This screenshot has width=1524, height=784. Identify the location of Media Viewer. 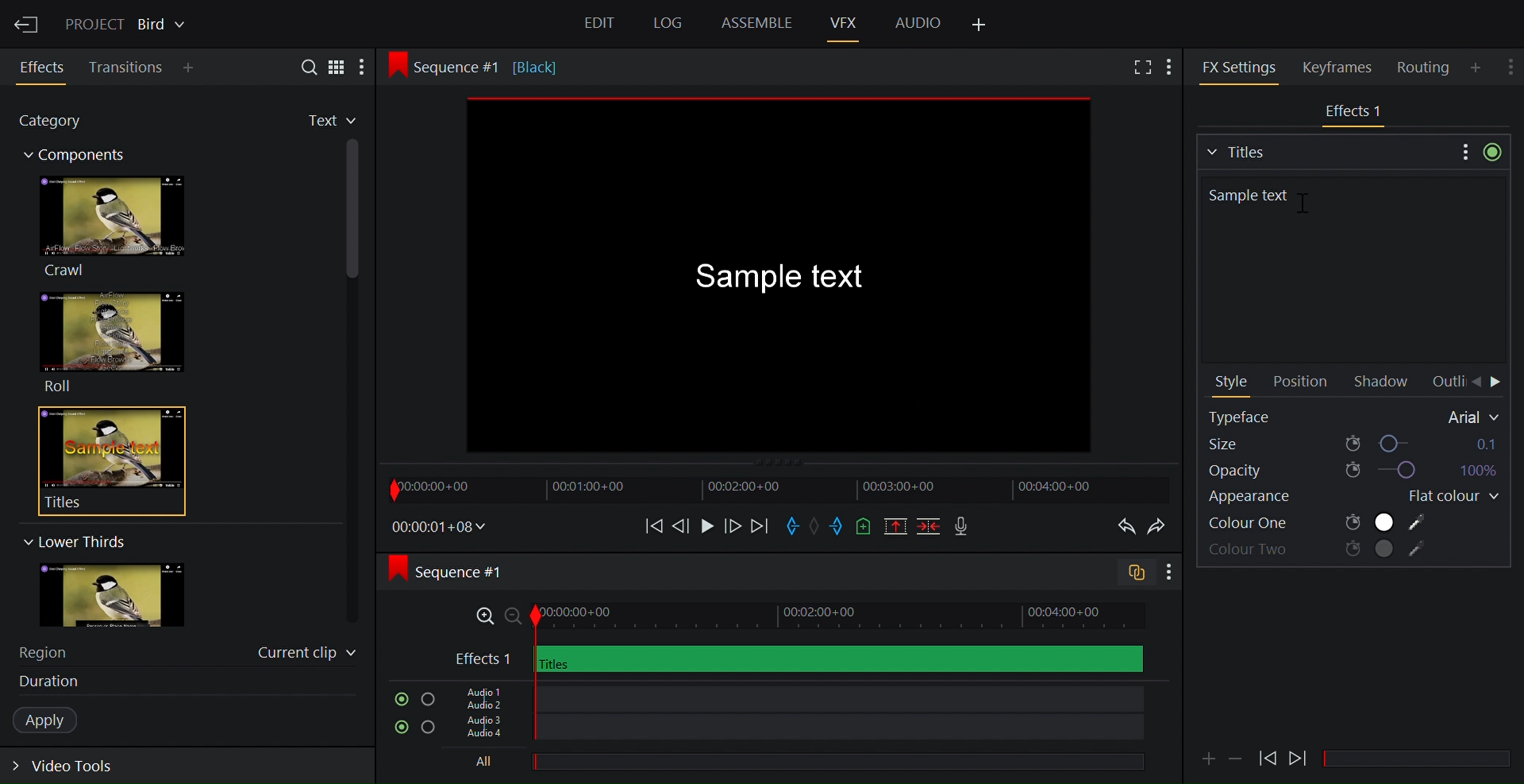
(779, 273).